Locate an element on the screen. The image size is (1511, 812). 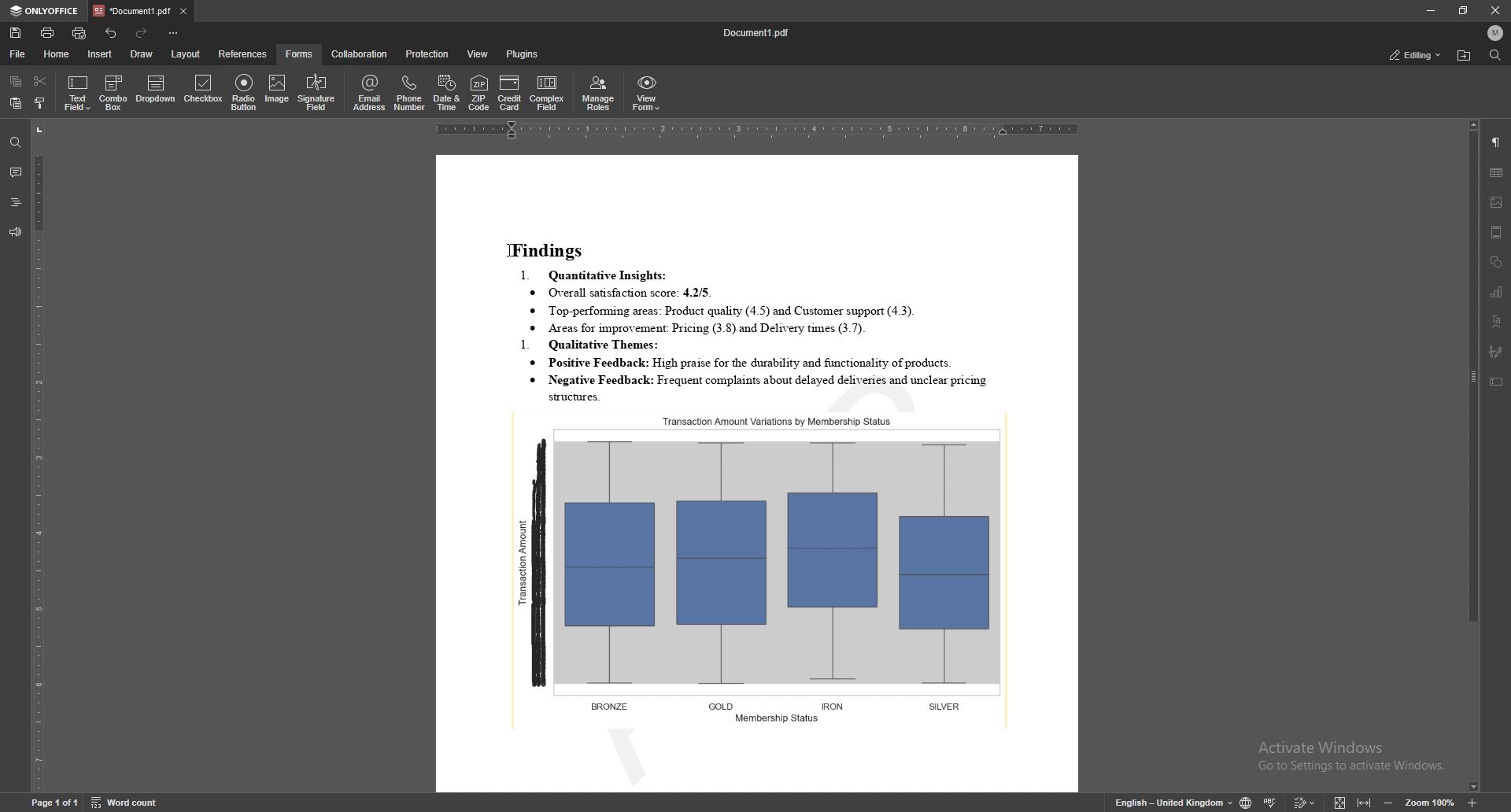
draw is located at coordinates (141, 53).